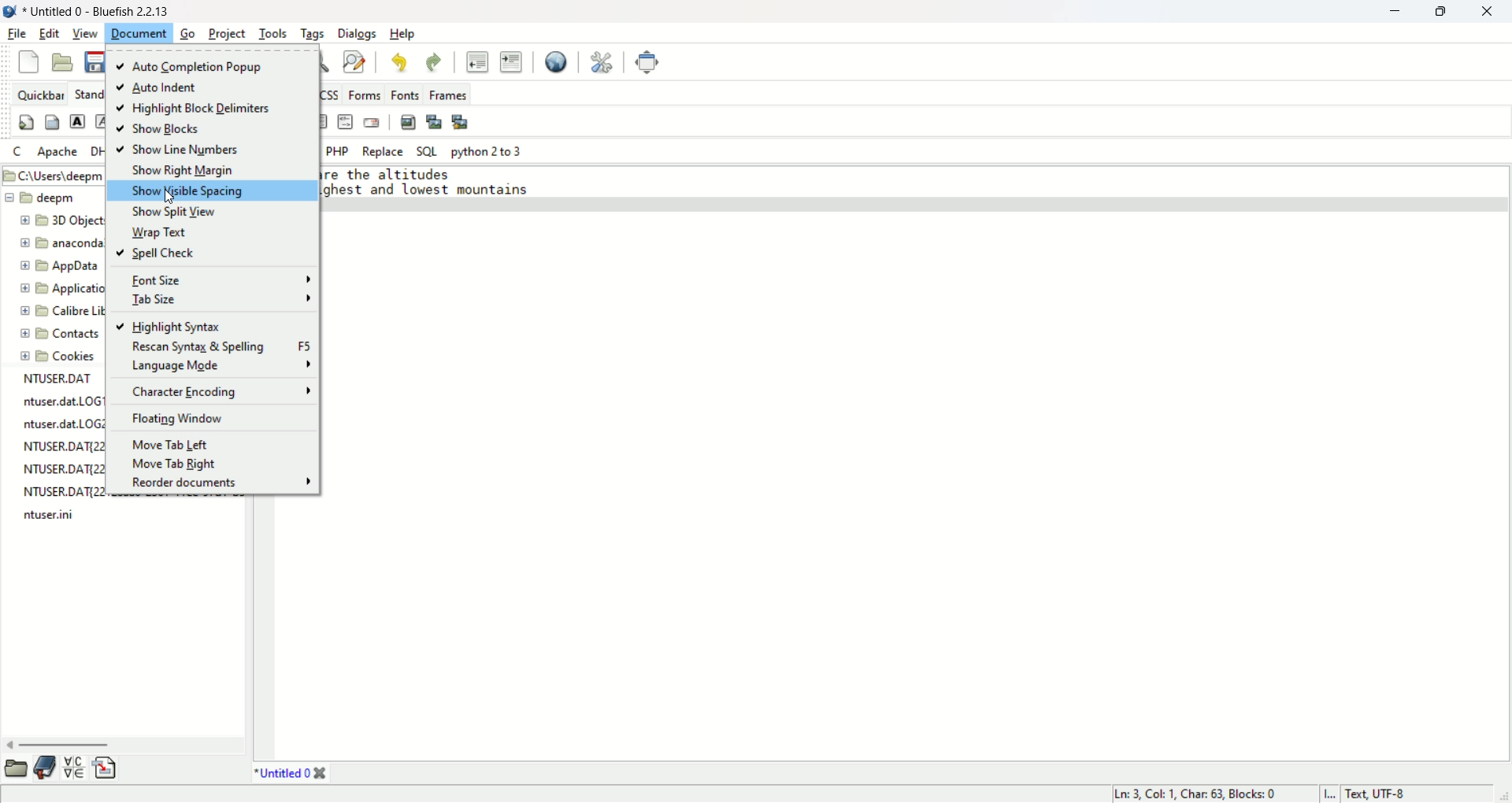 Image resolution: width=1512 pixels, height=803 pixels. What do you see at coordinates (428, 185) in the screenshot?
I see `text` at bounding box center [428, 185].